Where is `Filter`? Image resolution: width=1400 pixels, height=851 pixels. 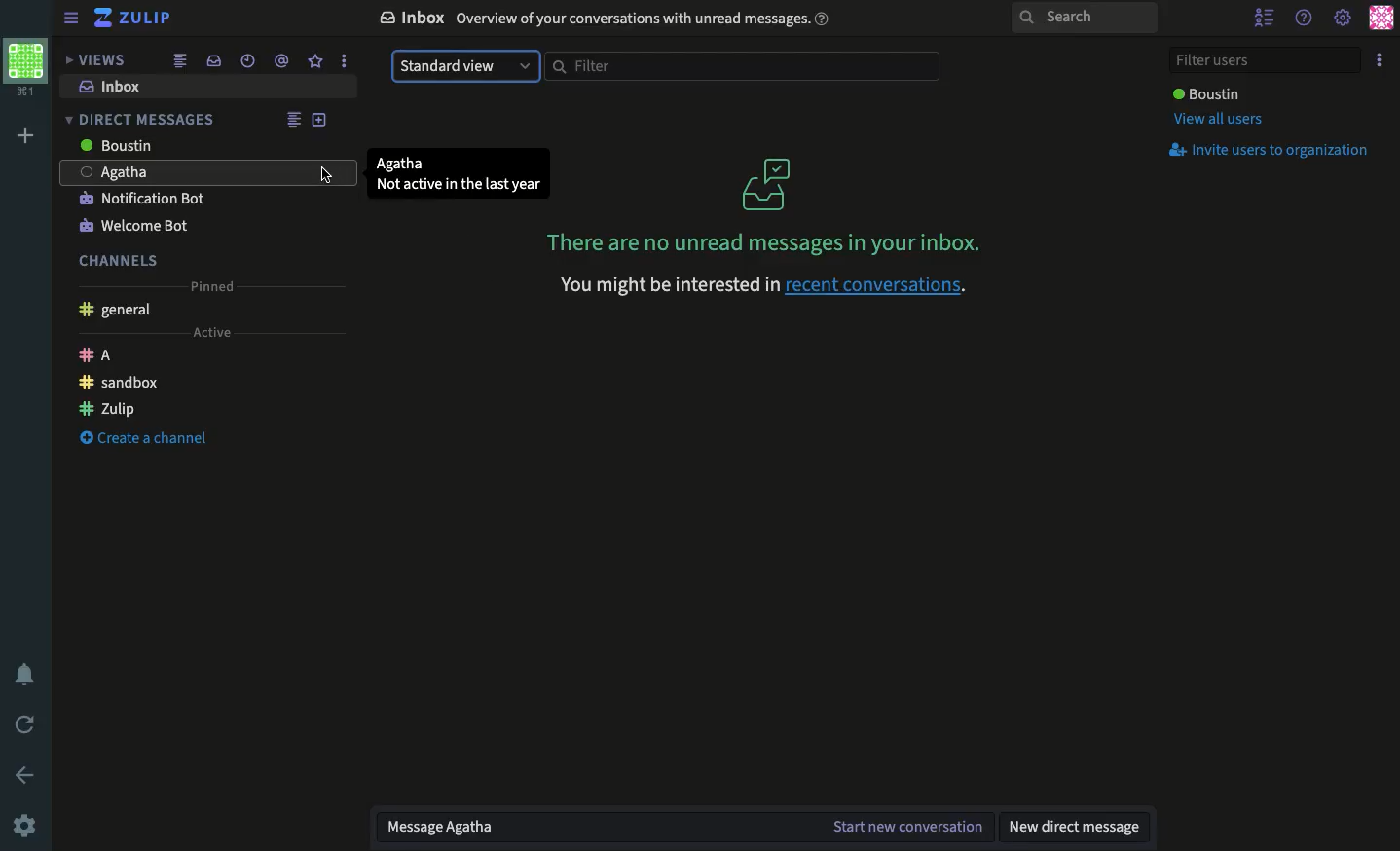
Filter is located at coordinates (748, 67).